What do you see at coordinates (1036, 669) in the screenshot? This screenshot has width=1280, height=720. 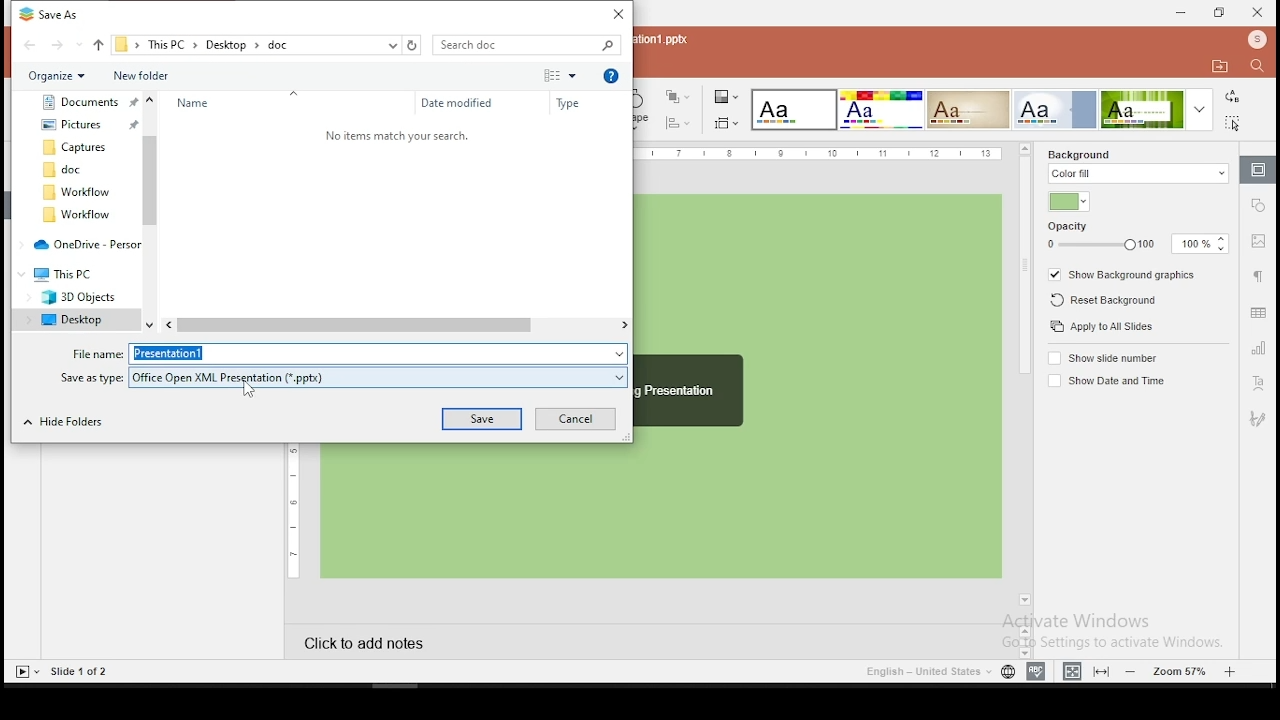 I see `spell check` at bounding box center [1036, 669].